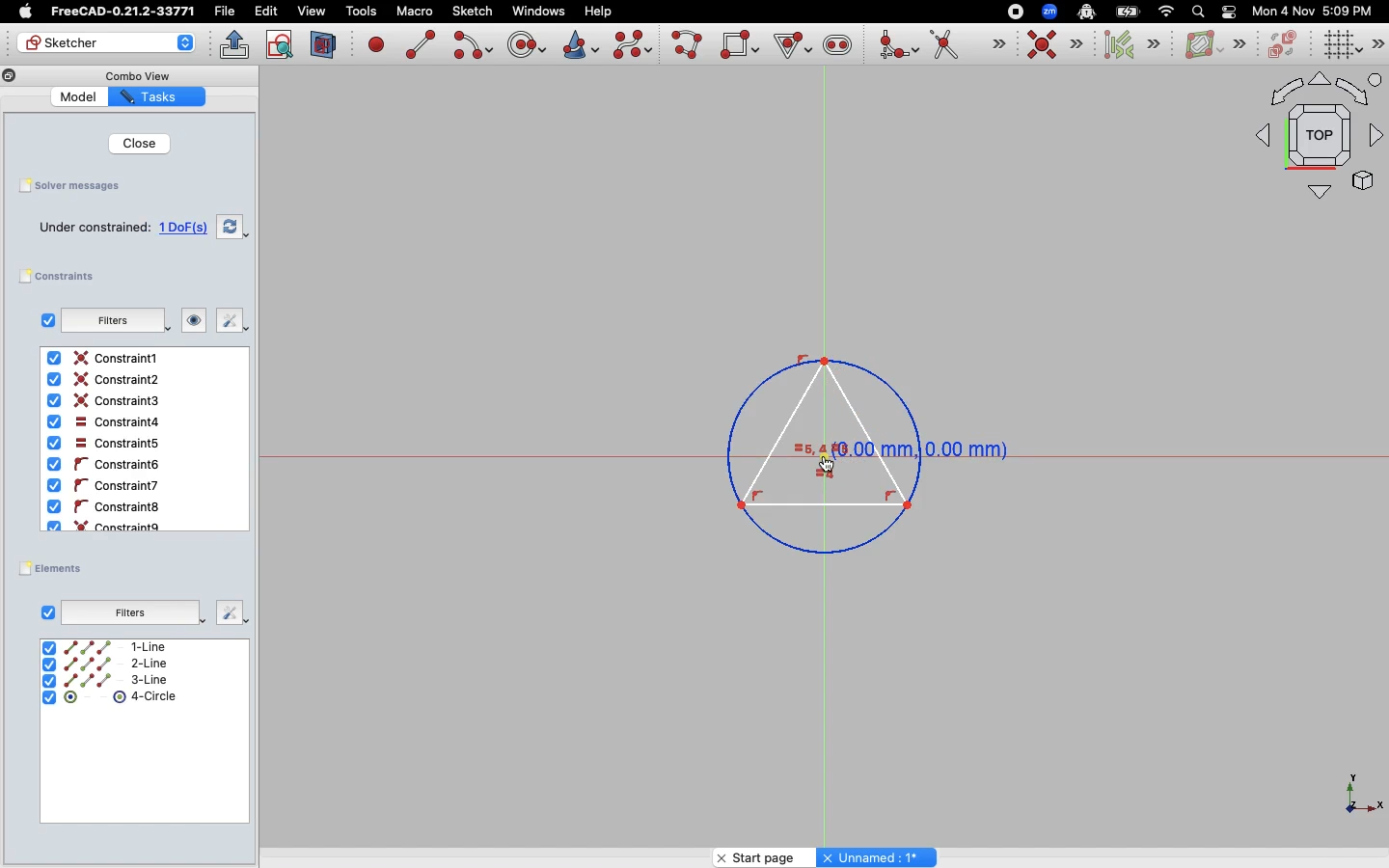 The image size is (1389, 868). Describe the element at coordinates (101, 422) in the screenshot. I see `Constraint4` at that location.